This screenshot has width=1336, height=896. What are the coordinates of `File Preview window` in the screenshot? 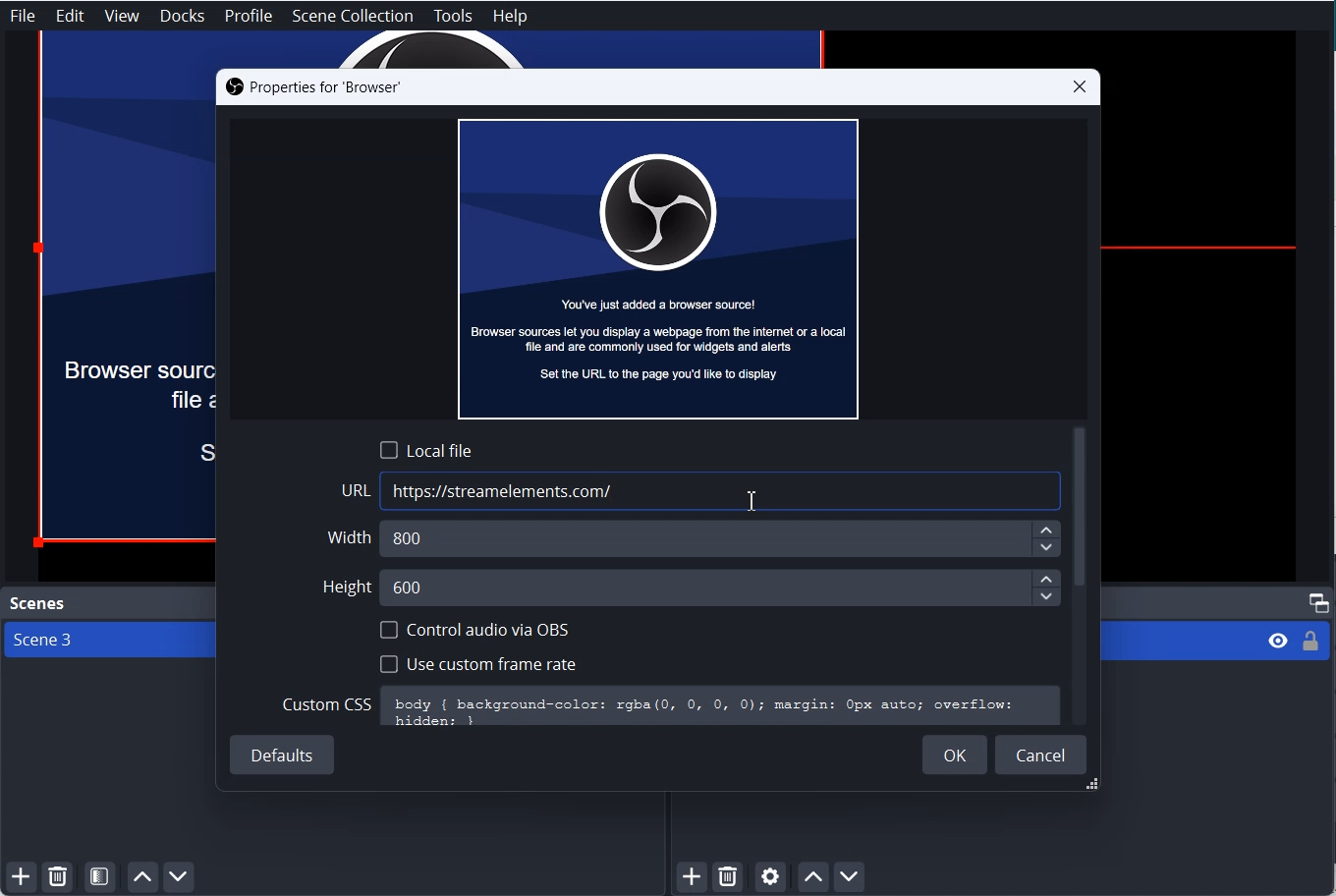 It's located at (658, 267).